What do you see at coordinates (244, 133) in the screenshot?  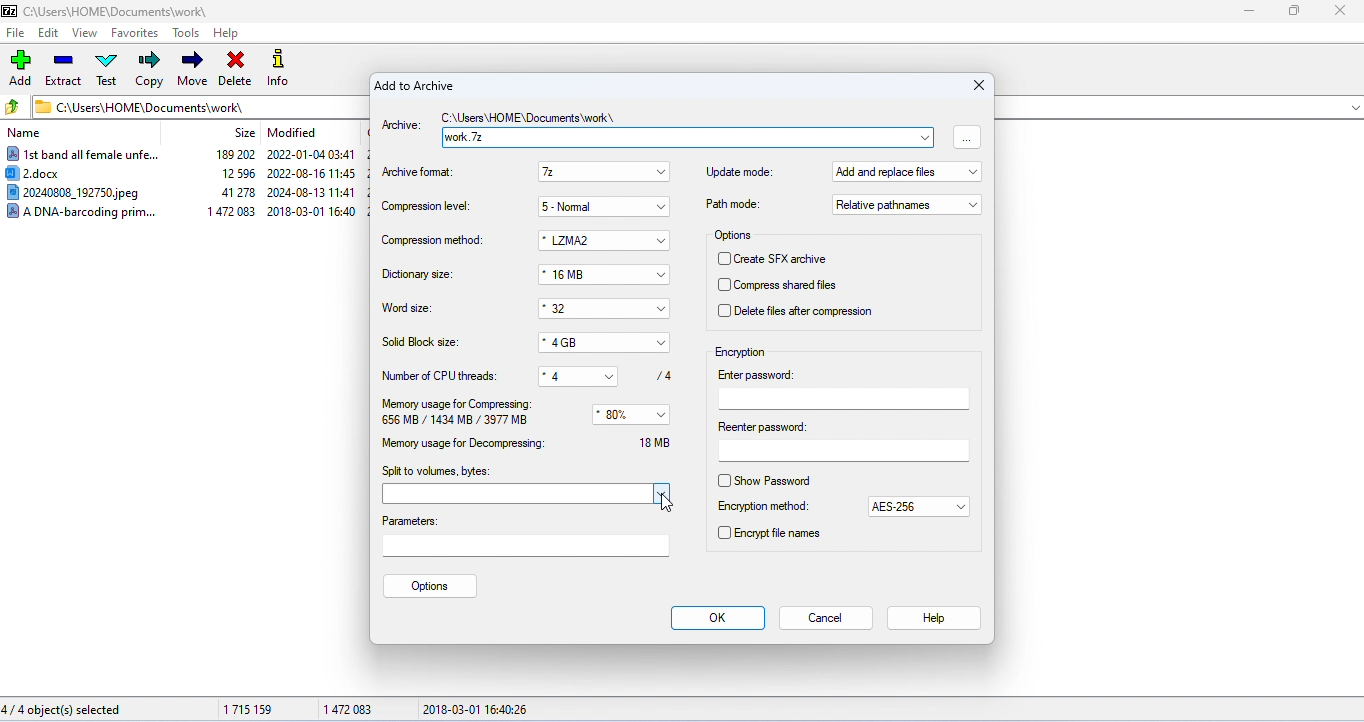 I see `size` at bounding box center [244, 133].